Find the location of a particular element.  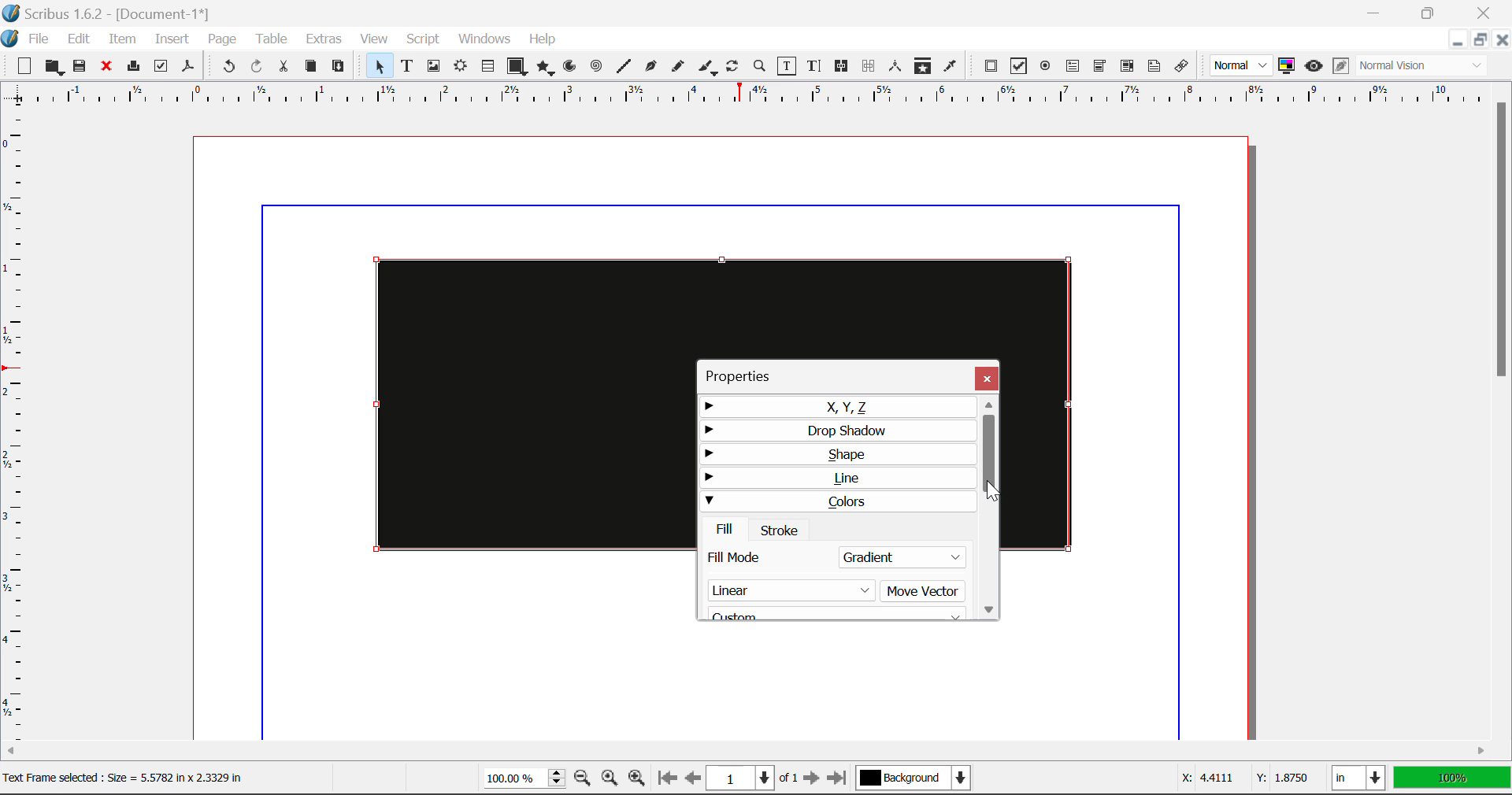

Fill Tab Open is located at coordinates (727, 528).